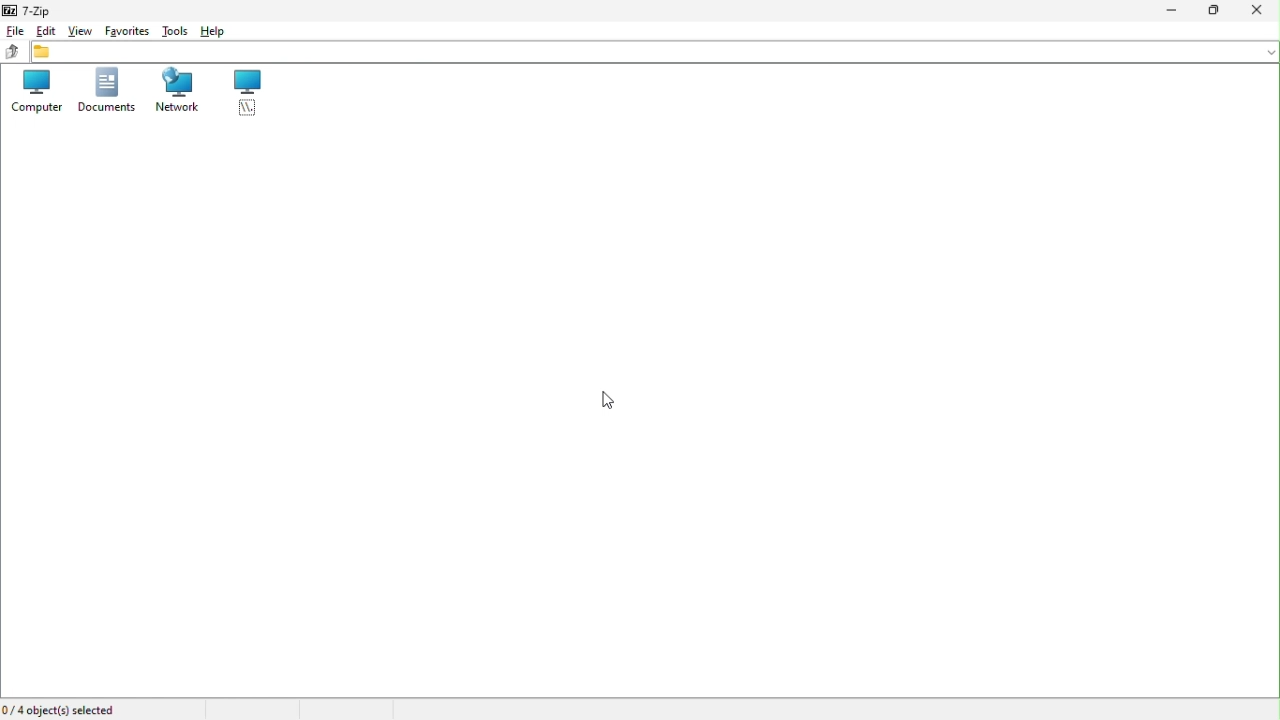 This screenshot has width=1280, height=720. What do you see at coordinates (108, 93) in the screenshot?
I see `Documents` at bounding box center [108, 93].